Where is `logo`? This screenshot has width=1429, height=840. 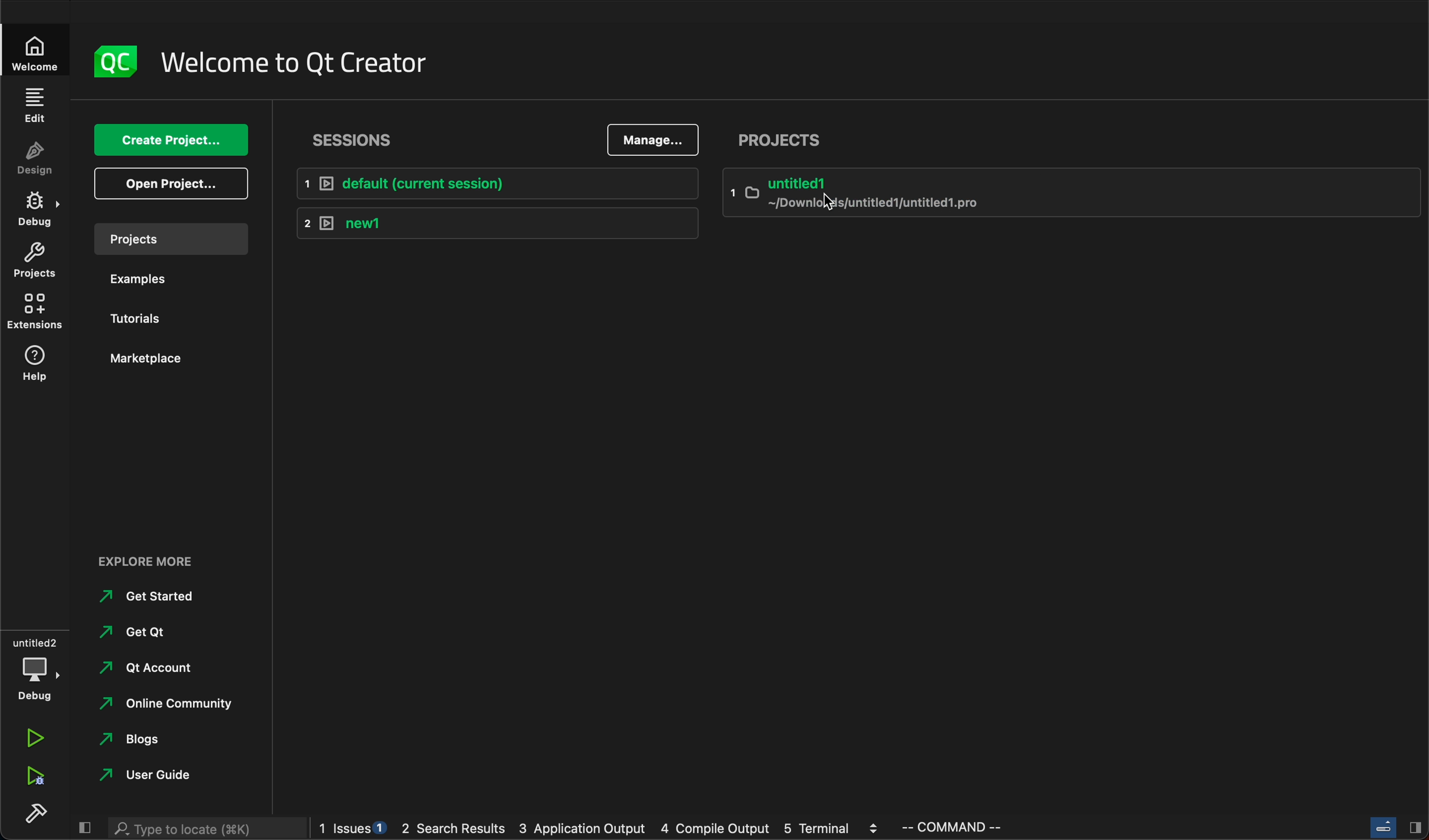 logo is located at coordinates (110, 62).